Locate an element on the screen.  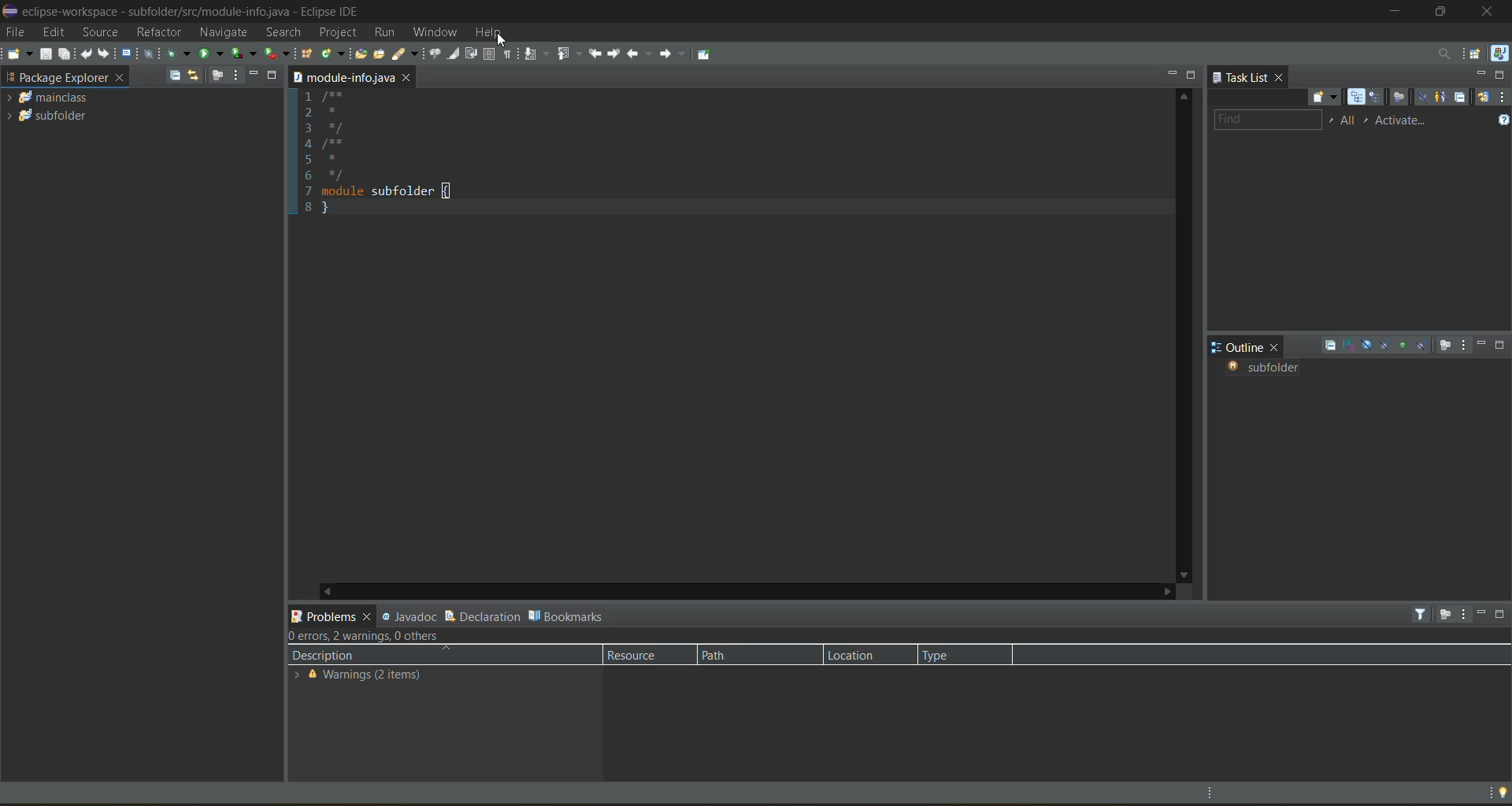
find is located at coordinates (1266, 119).